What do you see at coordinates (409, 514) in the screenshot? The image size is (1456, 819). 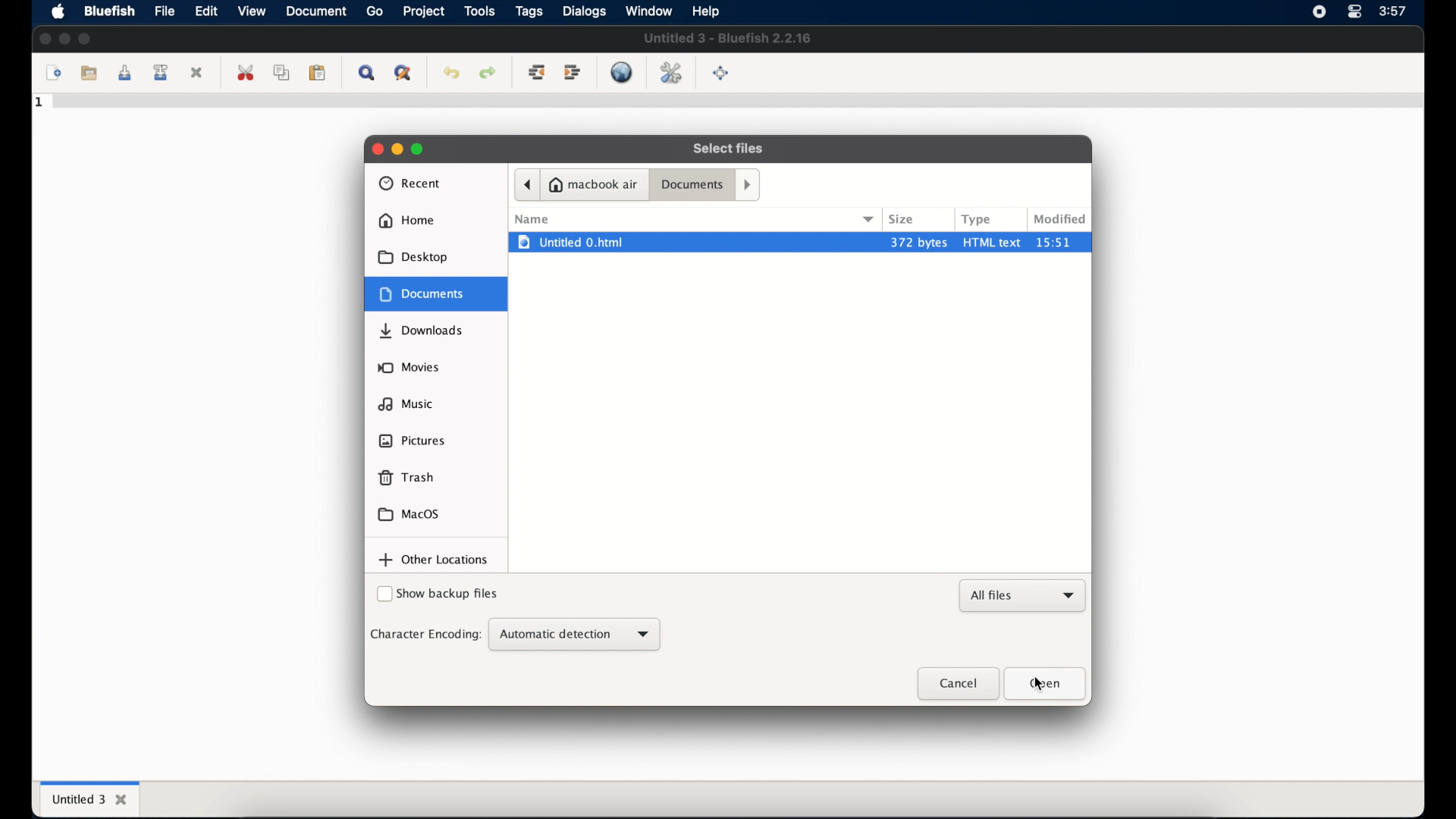 I see `macOS` at bounding box center [409, 514].